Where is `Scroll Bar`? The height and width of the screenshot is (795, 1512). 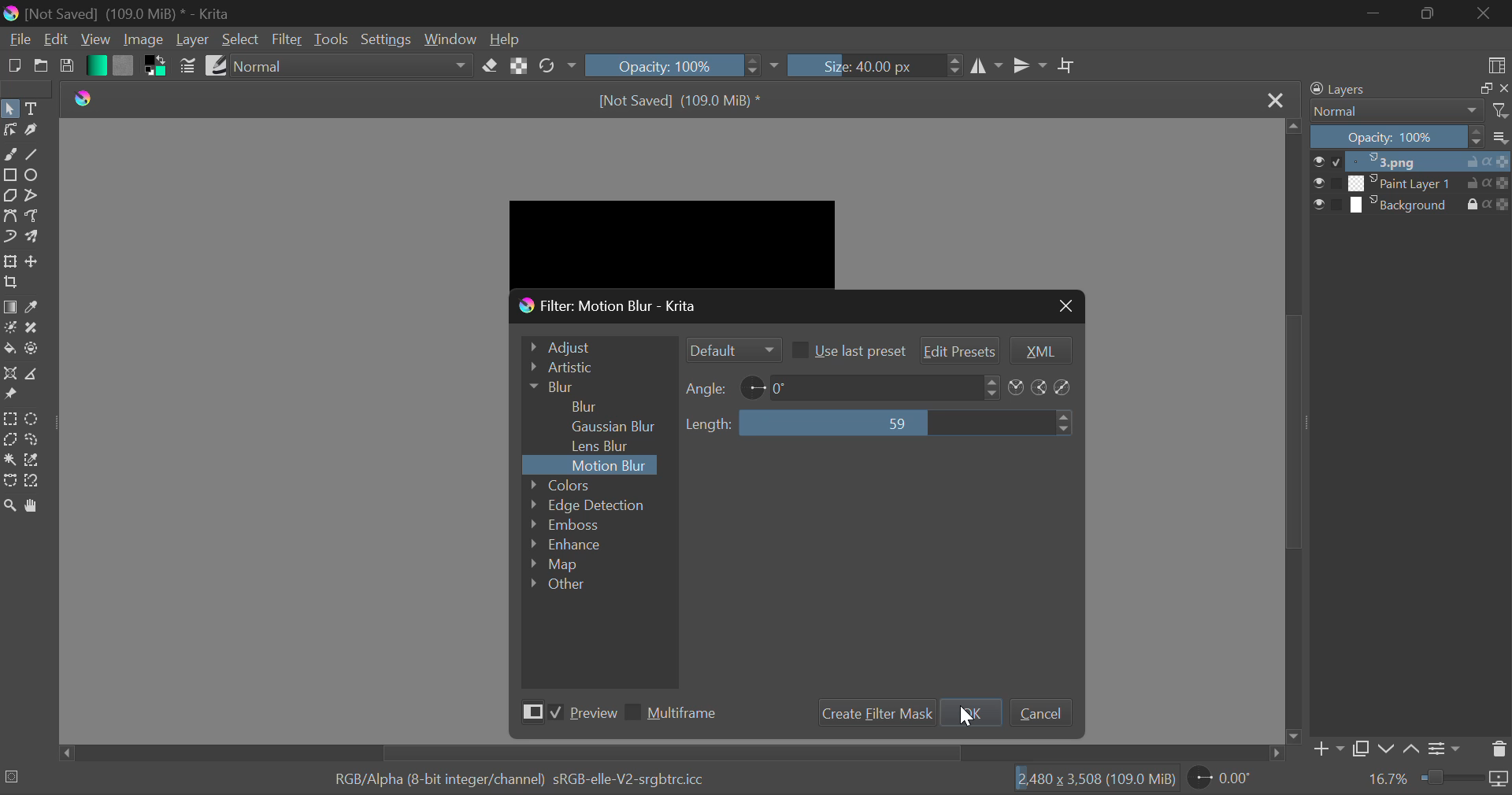 Scroll Bar is located at coordinates (672, 753).